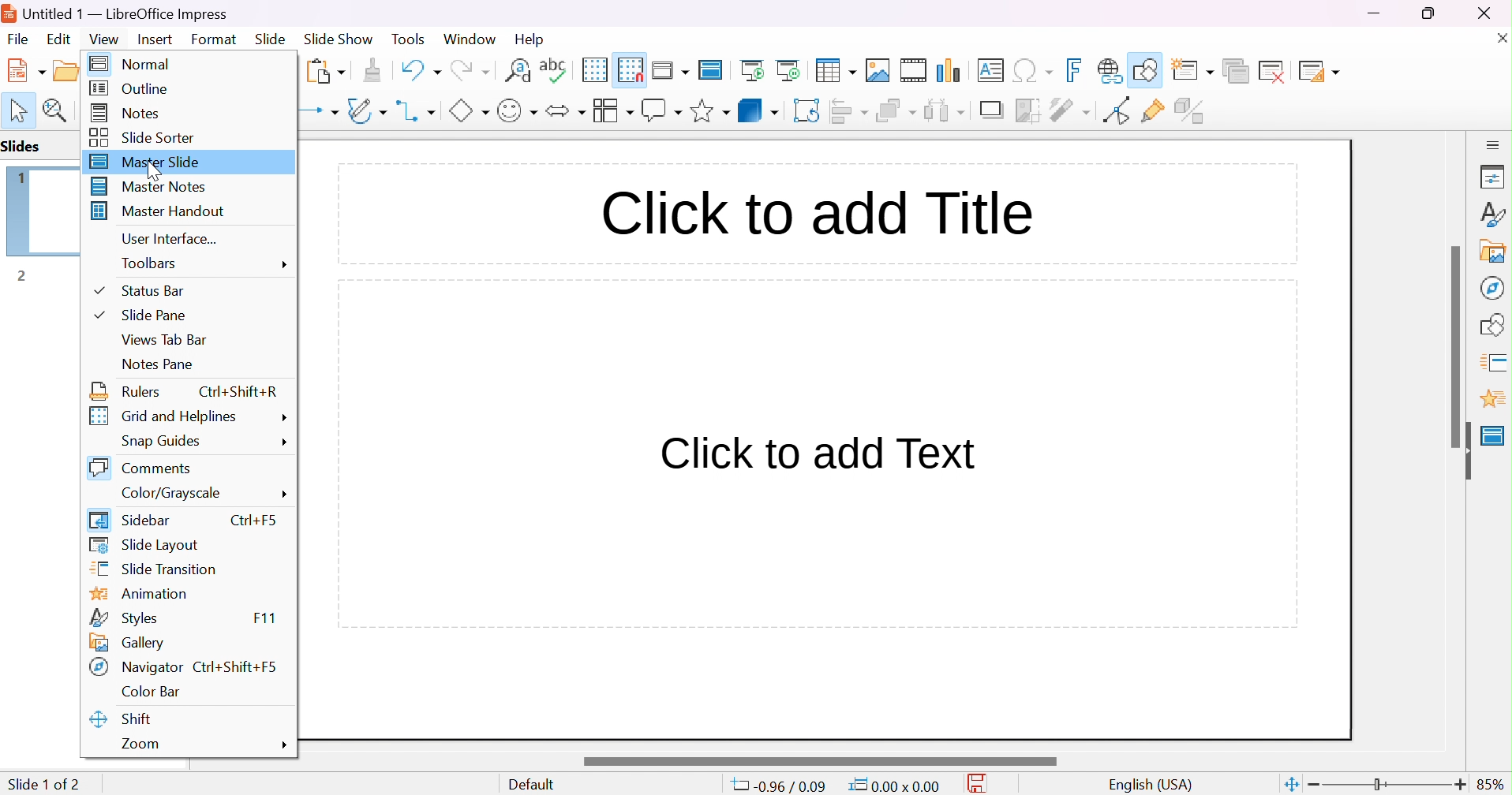 This screenshot has height=795, width=1512. Describe the element at coordinates (271, 39) in the screenshot. I see `slide` at that location.